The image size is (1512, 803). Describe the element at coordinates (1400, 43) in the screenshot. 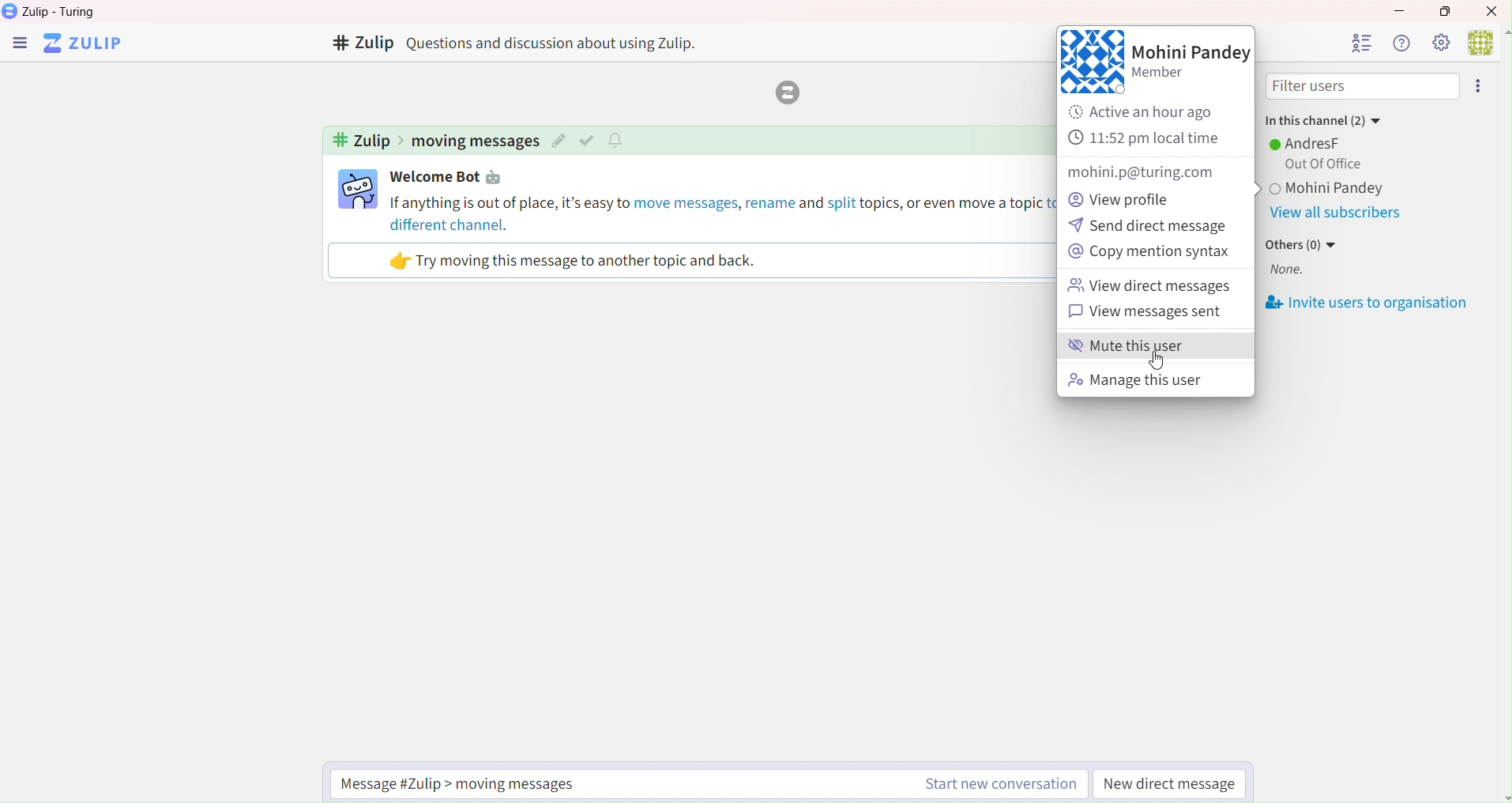

I see `Info` at that location.